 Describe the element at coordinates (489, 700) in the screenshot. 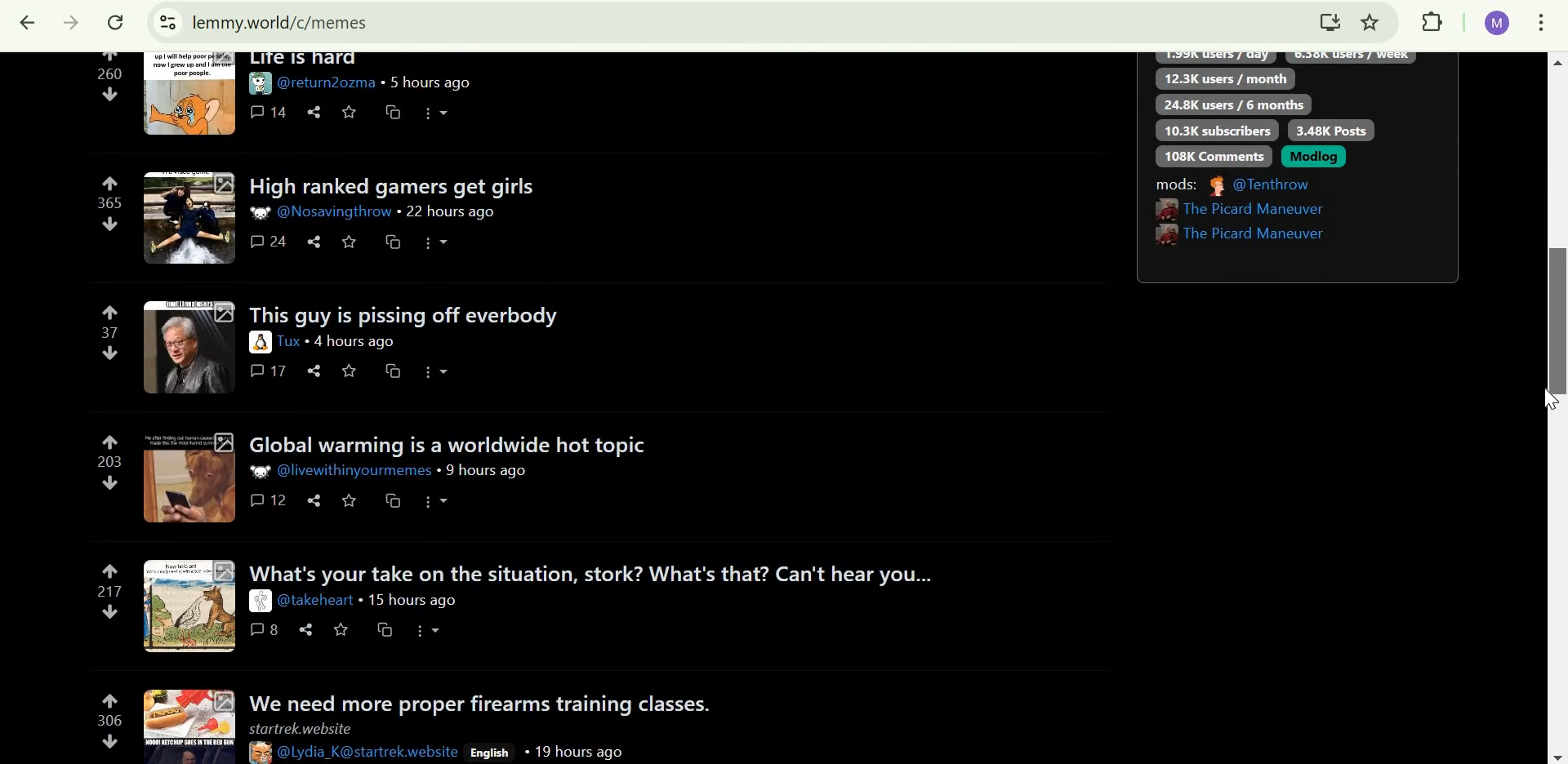

I see `we need more proper firearms training classes. ` at that location.